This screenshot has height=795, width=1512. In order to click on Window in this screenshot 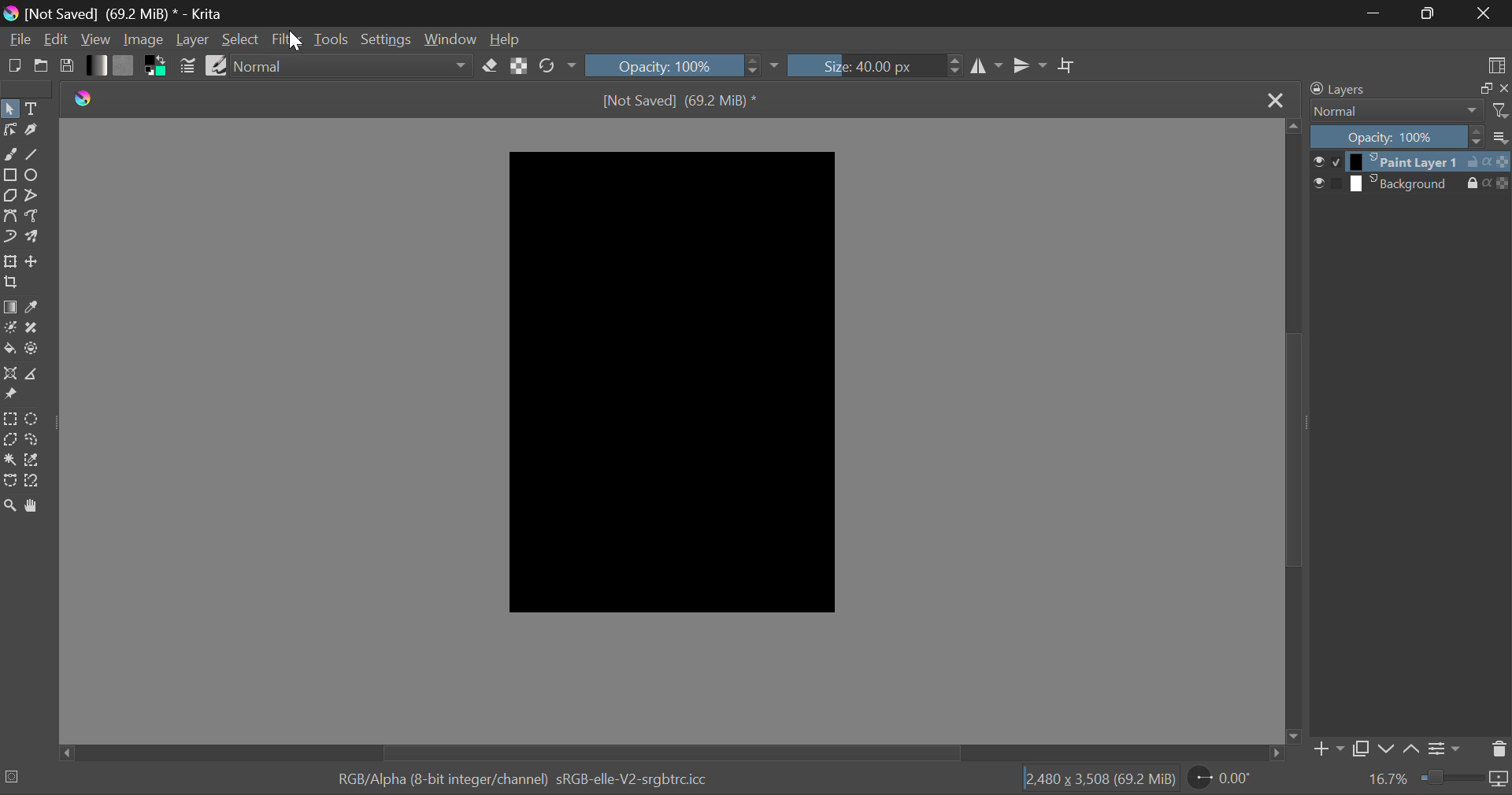, I will do `click(450, 38)`.